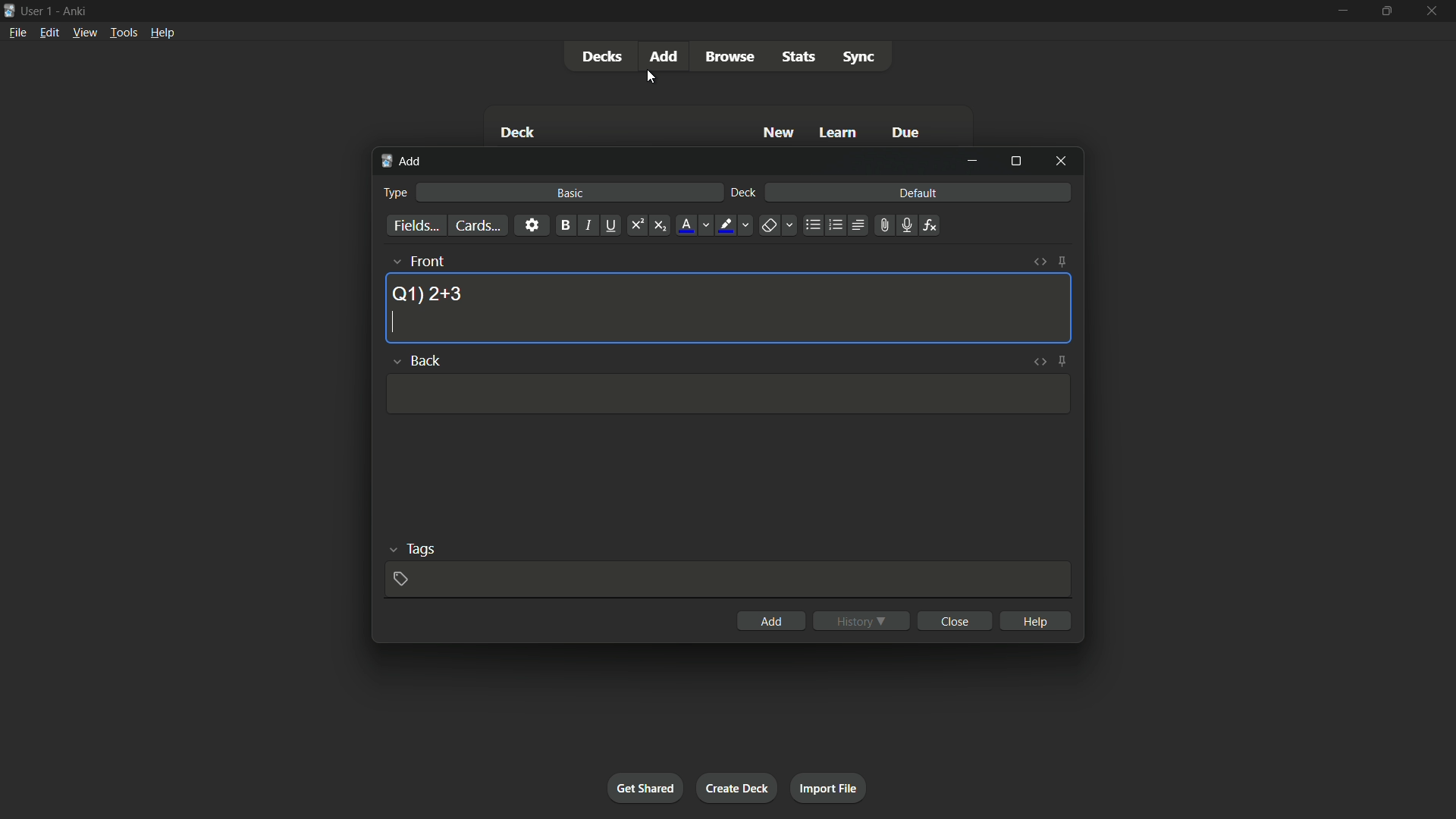 The height and width of the screenshot is (819, 1456). I want to click on question, so click(427, 293).